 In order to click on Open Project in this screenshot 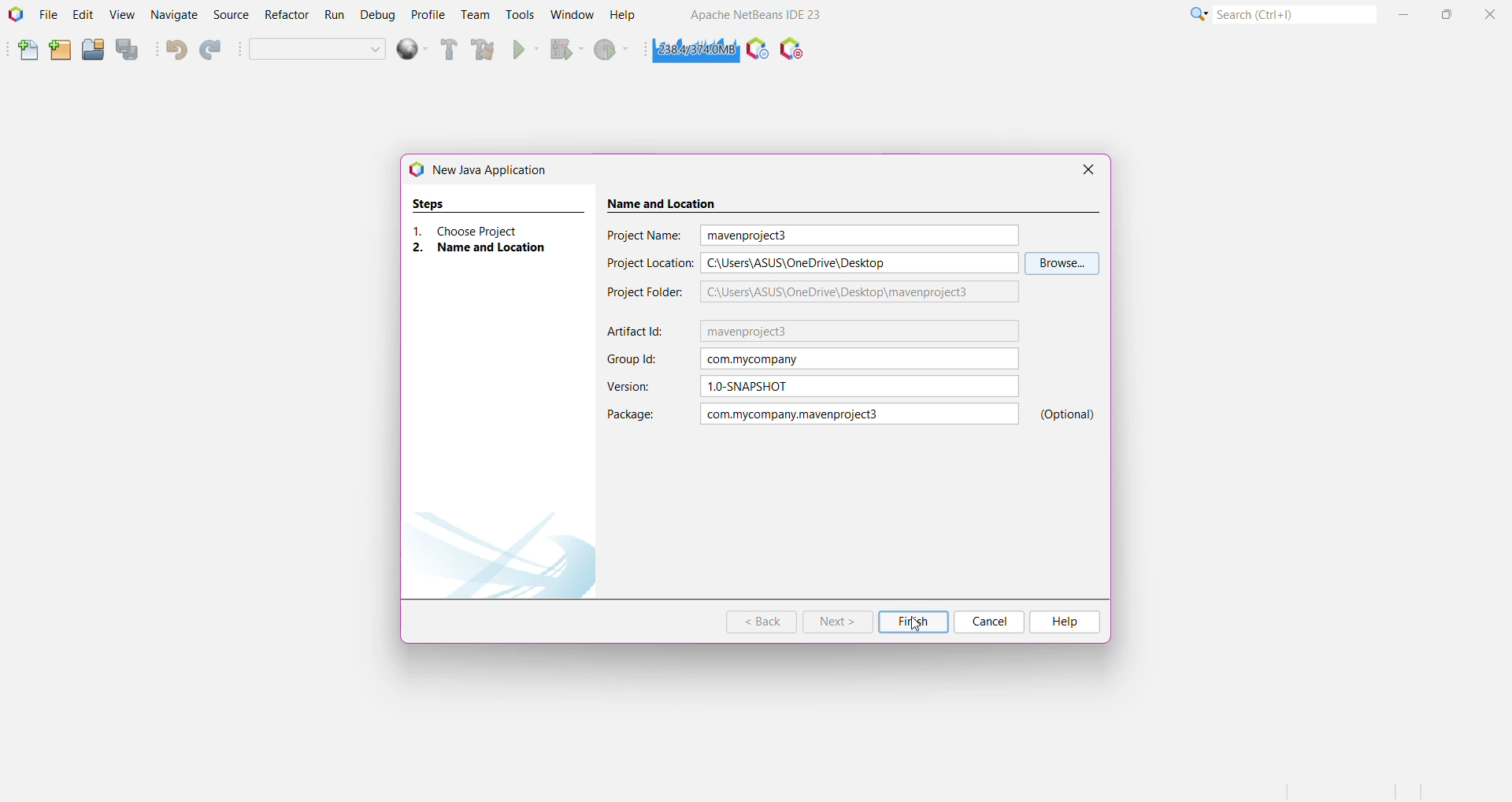, I will do `click(92, 51)`.